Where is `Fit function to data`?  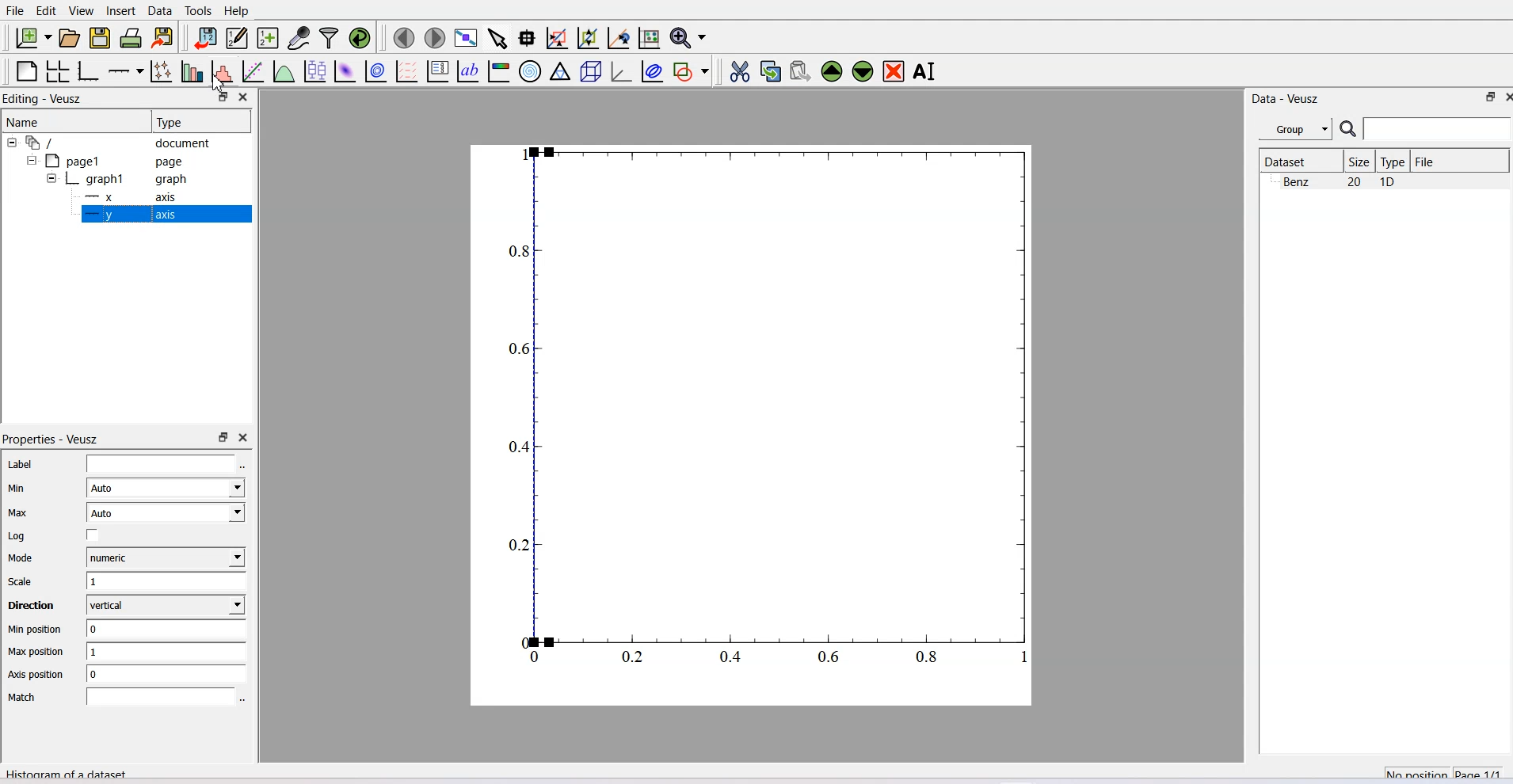 Fit function to data is located at coordinates (253, 70).